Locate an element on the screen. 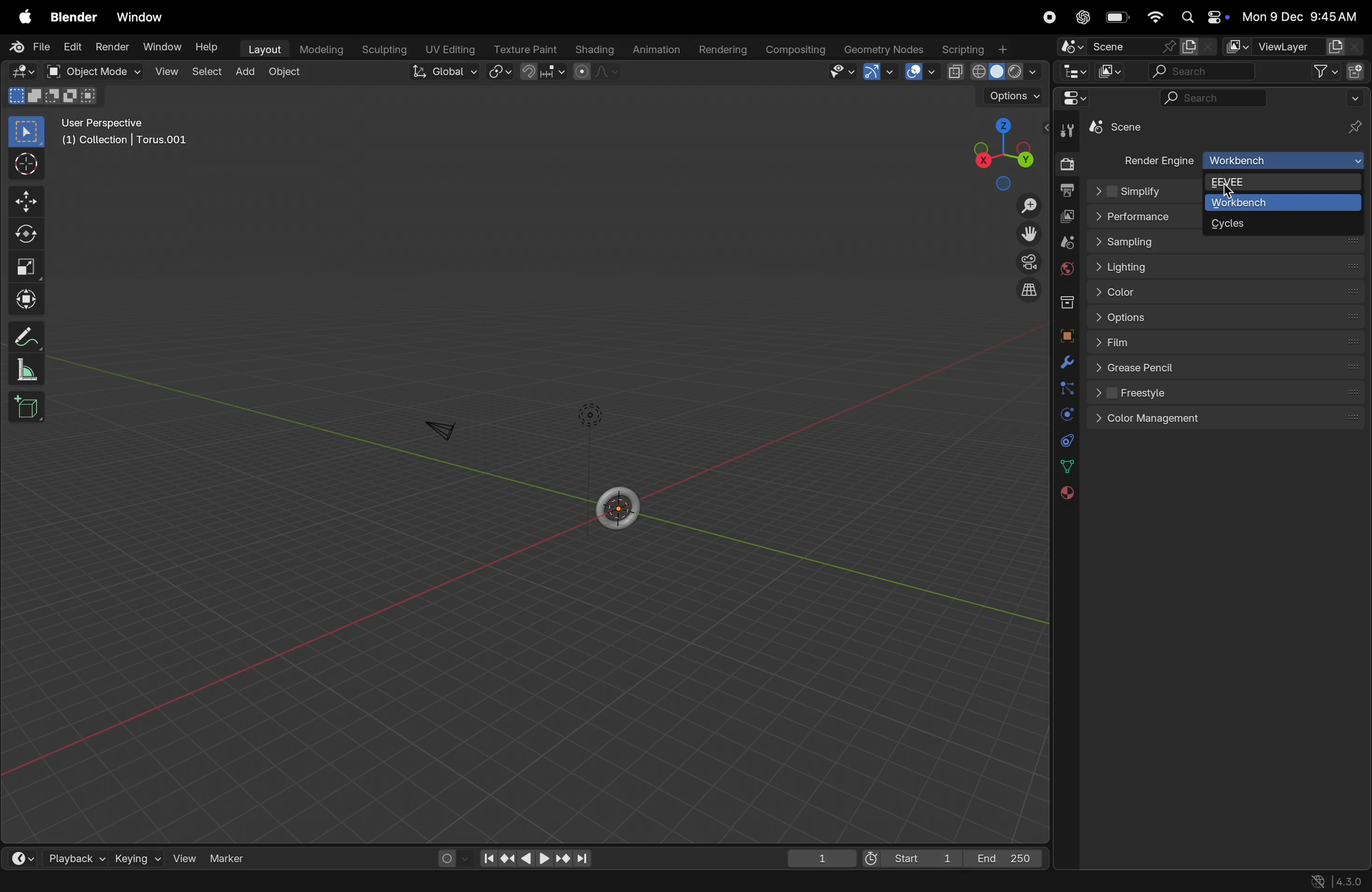 This screenshot has width=1372, height=892. animations is located at coordinates (658, 47).